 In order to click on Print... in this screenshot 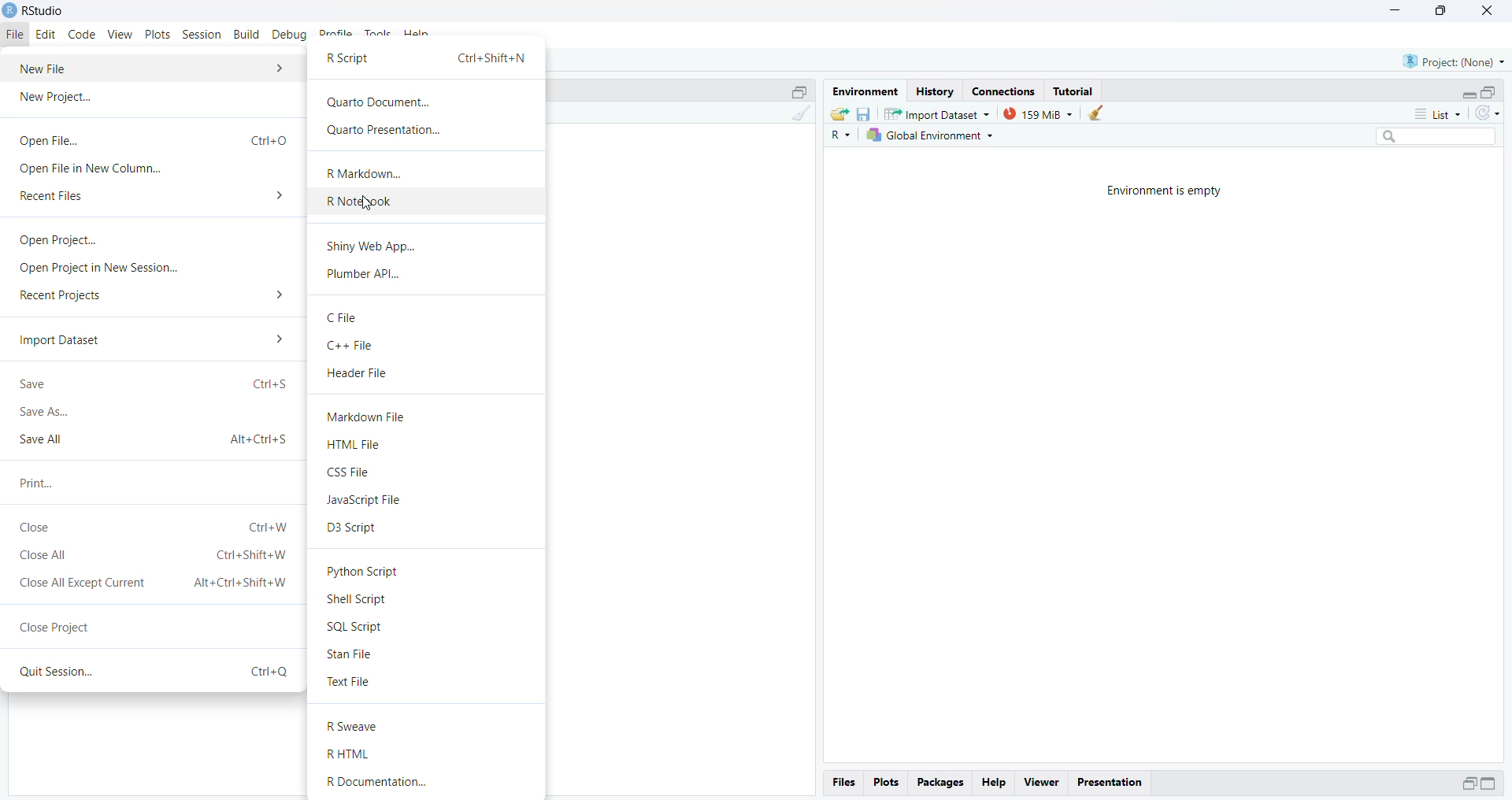, I will do `click(37, 483)`.